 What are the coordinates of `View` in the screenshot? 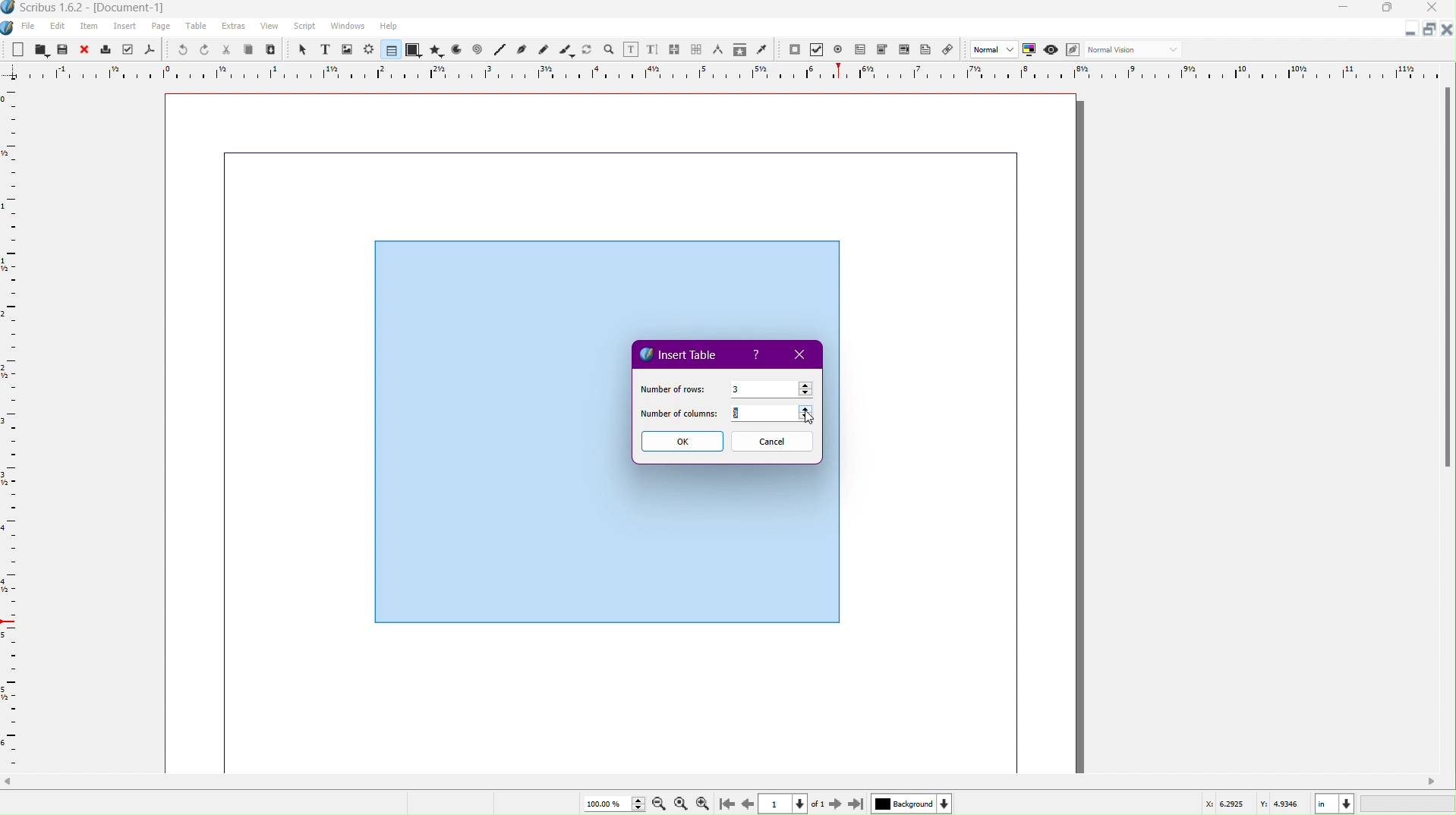 It's located at (269, 29).